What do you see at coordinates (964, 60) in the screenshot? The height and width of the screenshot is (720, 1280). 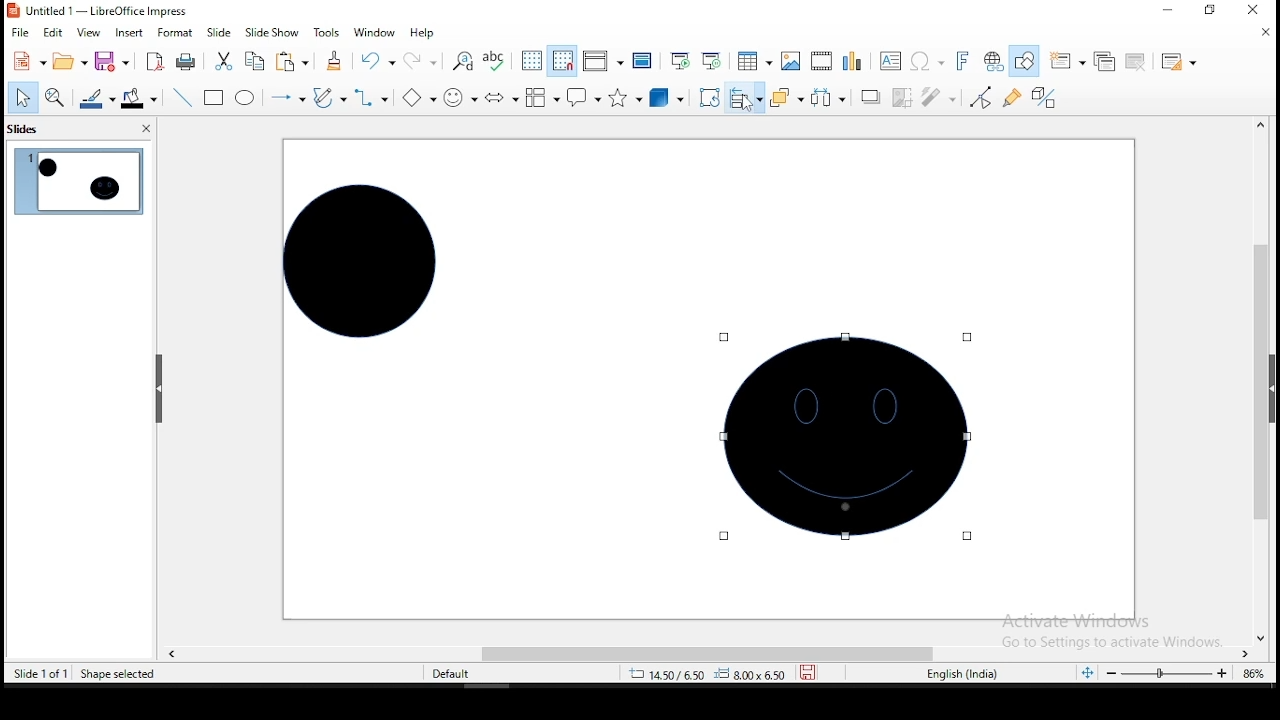 I see `insert fontwork text` at bounding box center [964, 60].